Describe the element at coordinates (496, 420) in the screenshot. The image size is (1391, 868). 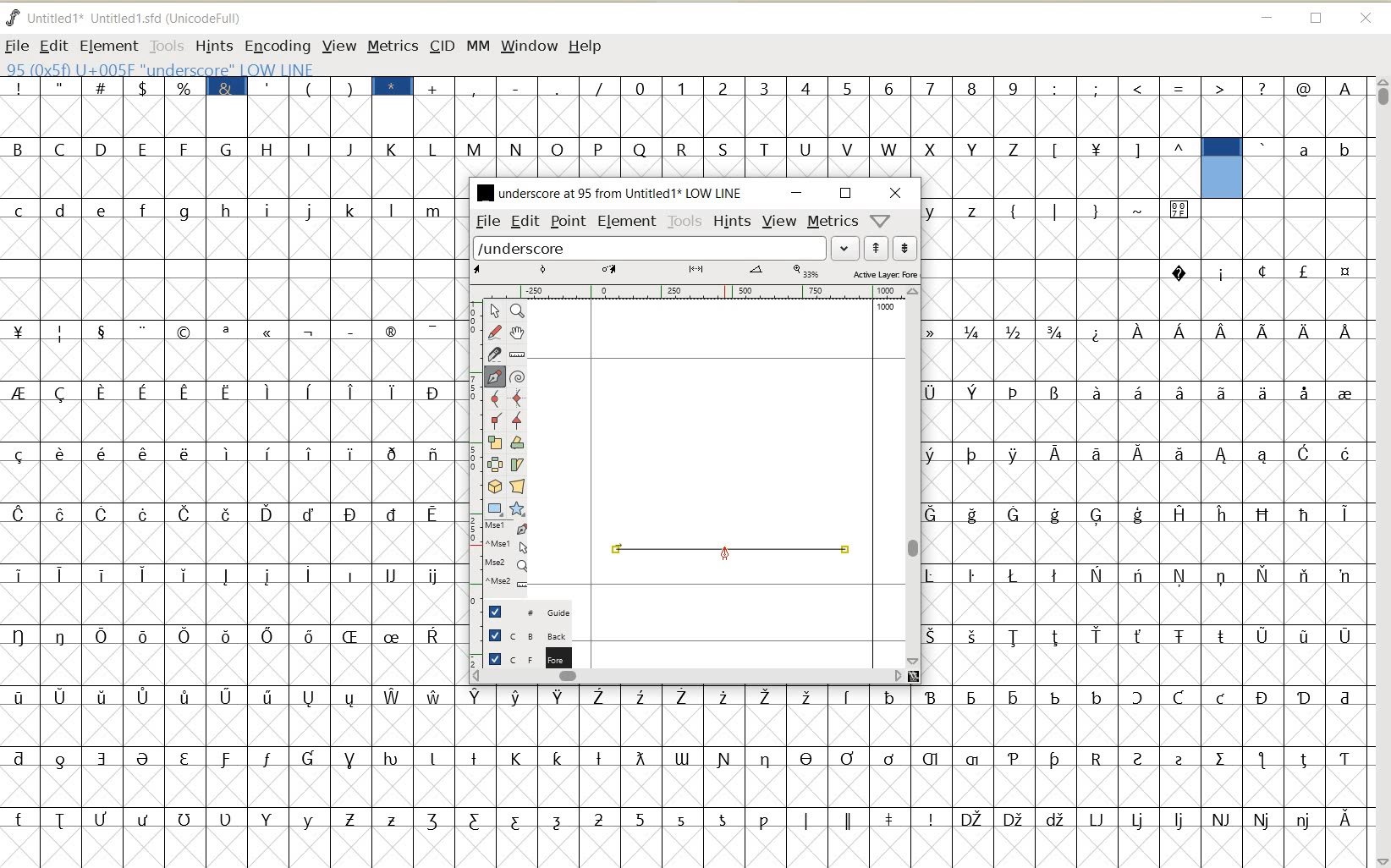
I see `Add a corner point` at that location.